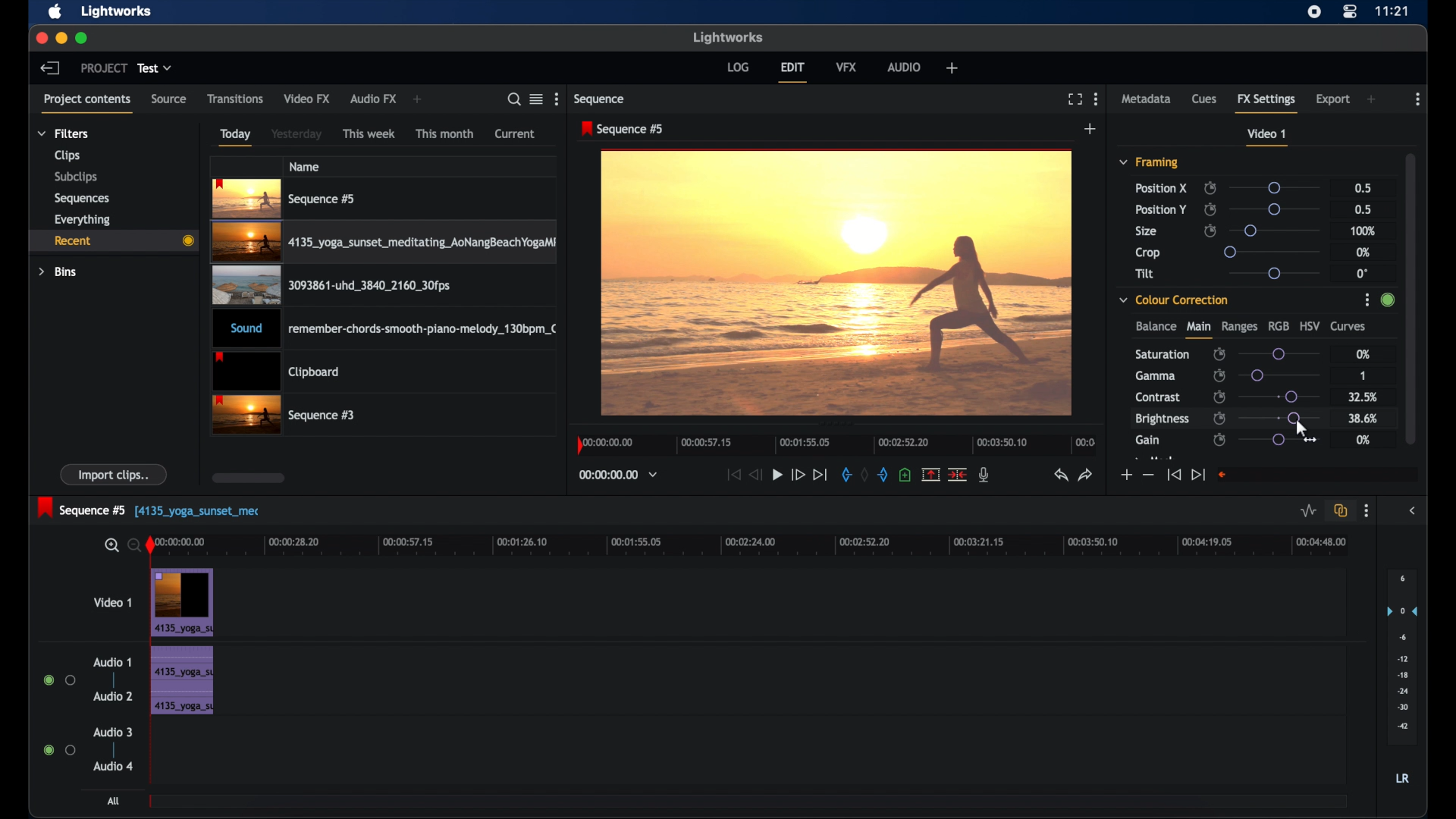 Image resolution: width=1456 pixels, height=819 pixels. Describe the element at coordinates (114, 602) in the screenshot. I see `video 1` at that location.